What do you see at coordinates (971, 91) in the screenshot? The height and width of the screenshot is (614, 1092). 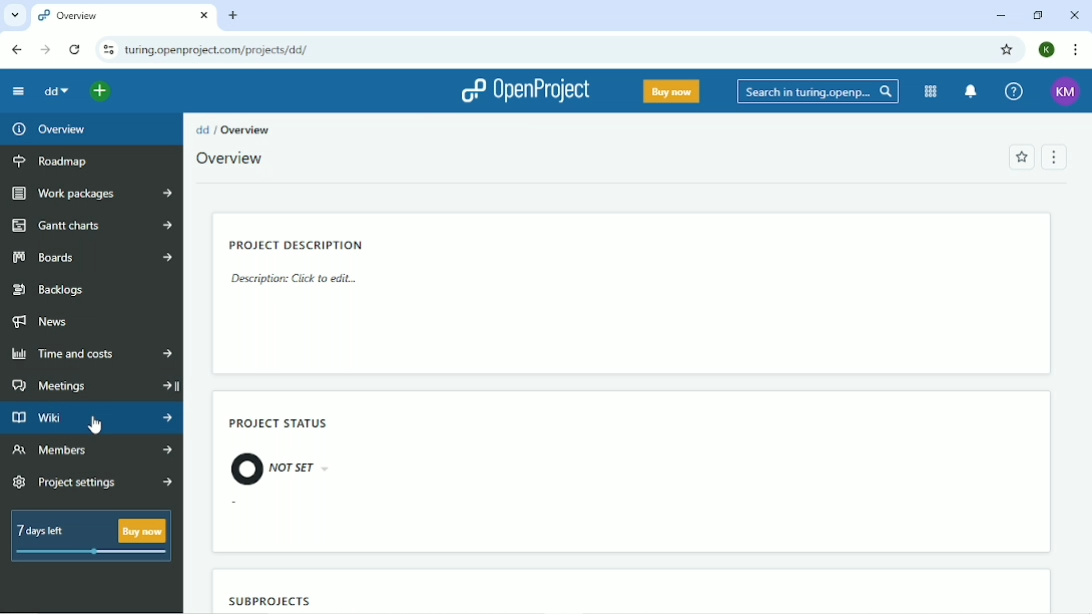 I see `To notification center` at bounding box center [971, 91].